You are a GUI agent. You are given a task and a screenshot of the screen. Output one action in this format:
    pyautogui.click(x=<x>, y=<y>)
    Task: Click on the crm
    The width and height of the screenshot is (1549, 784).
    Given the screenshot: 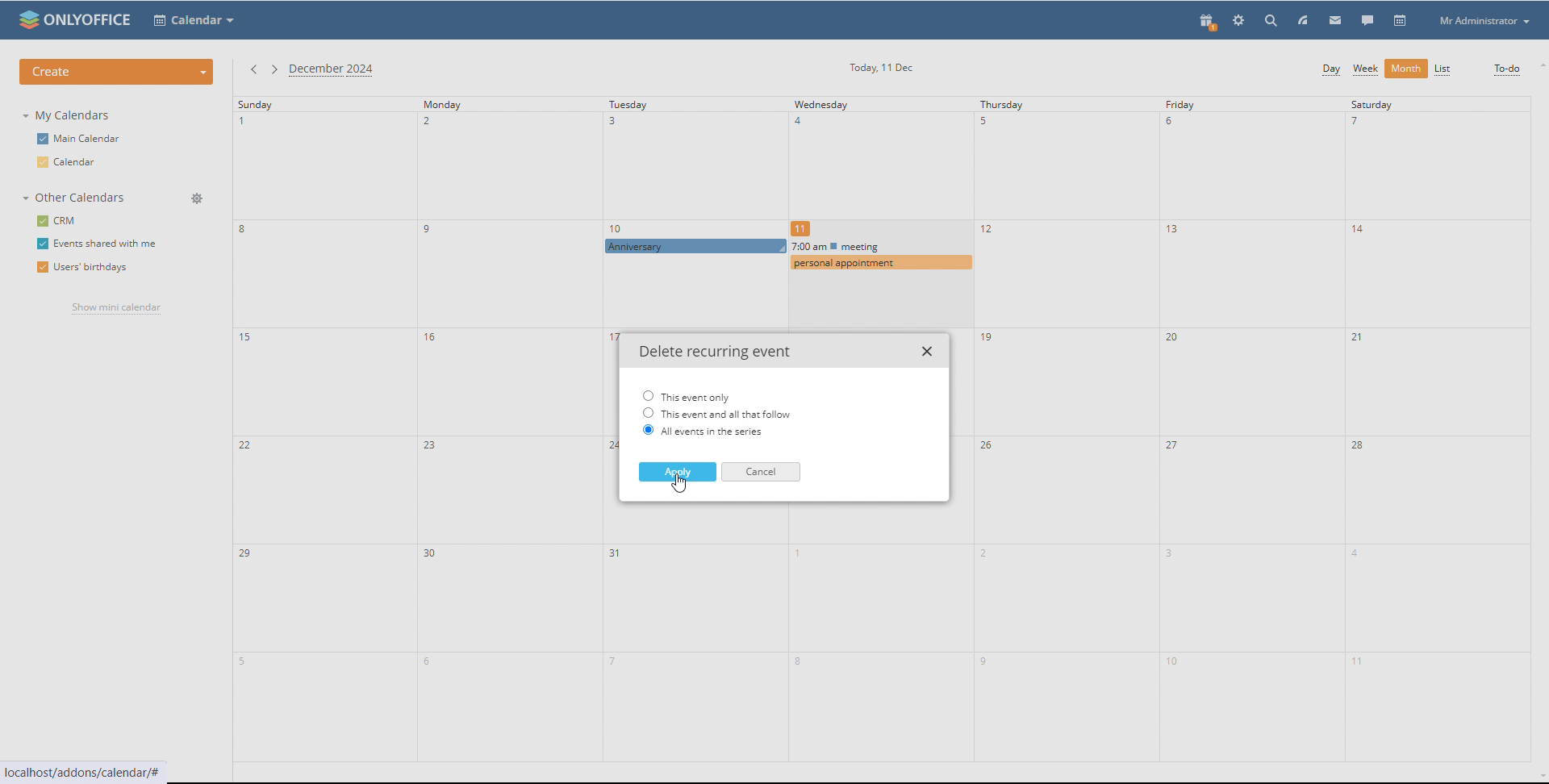 What is the action you would take?
    pyautogui.click(x=56, y=221)
    